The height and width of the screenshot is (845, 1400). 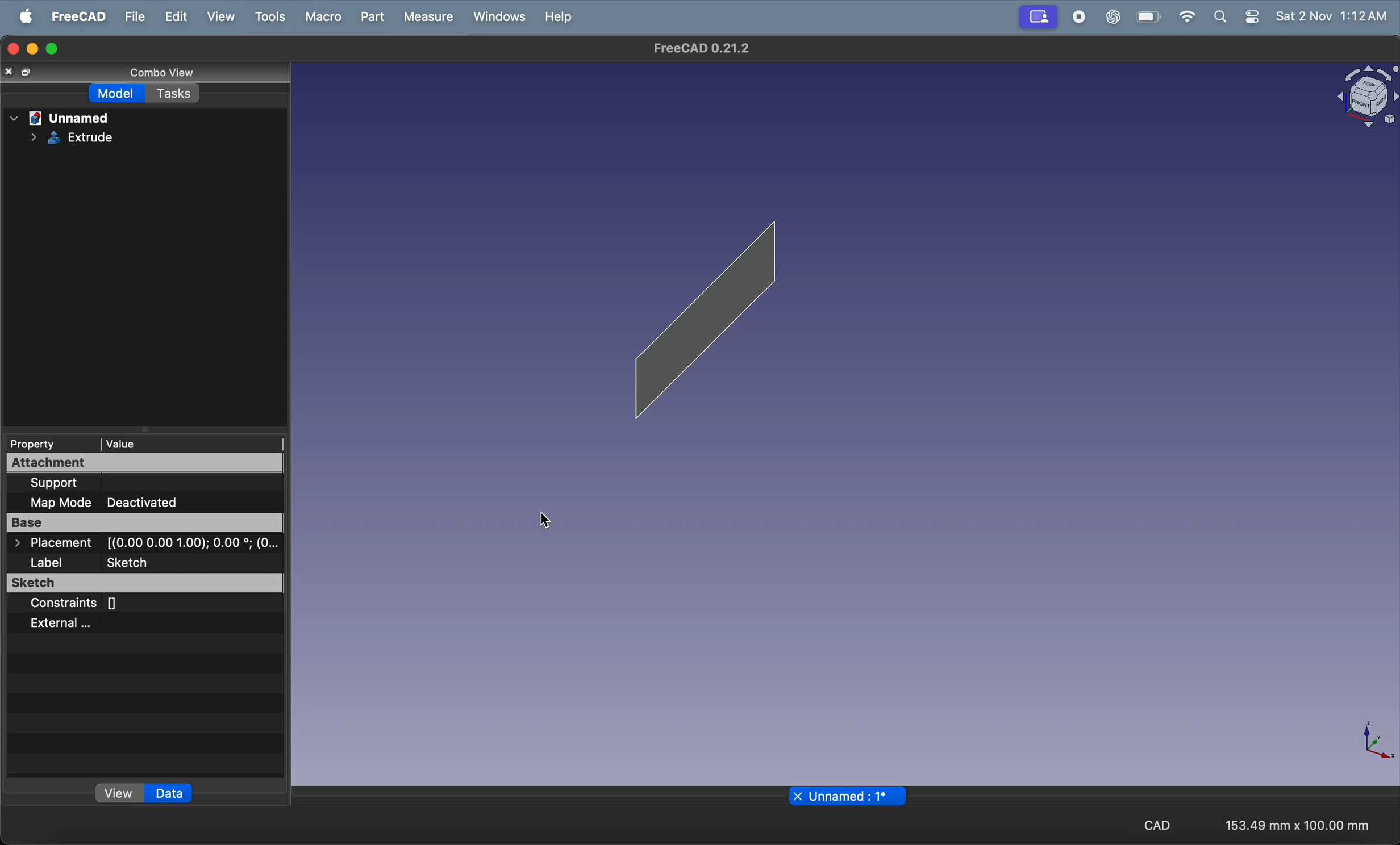 What do you see at coordinates (72, 137) in the screenshot?
I see `Extrude` at bounding box center [72, 137].